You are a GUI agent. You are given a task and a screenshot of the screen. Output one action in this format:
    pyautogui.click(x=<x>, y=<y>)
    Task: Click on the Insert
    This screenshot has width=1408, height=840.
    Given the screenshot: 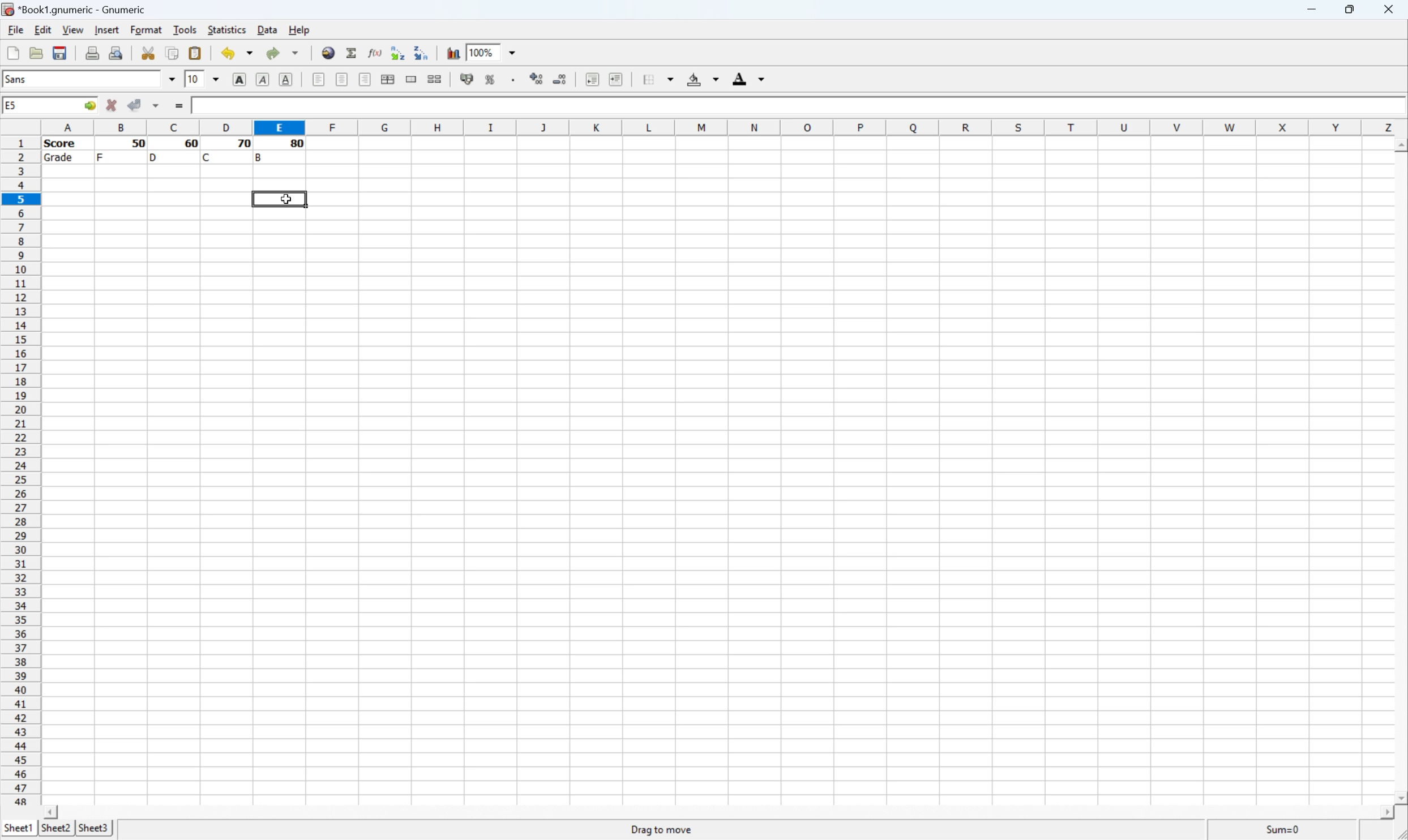 What is the action you would take?
    pyautogui.click(x=106, y=31)
    